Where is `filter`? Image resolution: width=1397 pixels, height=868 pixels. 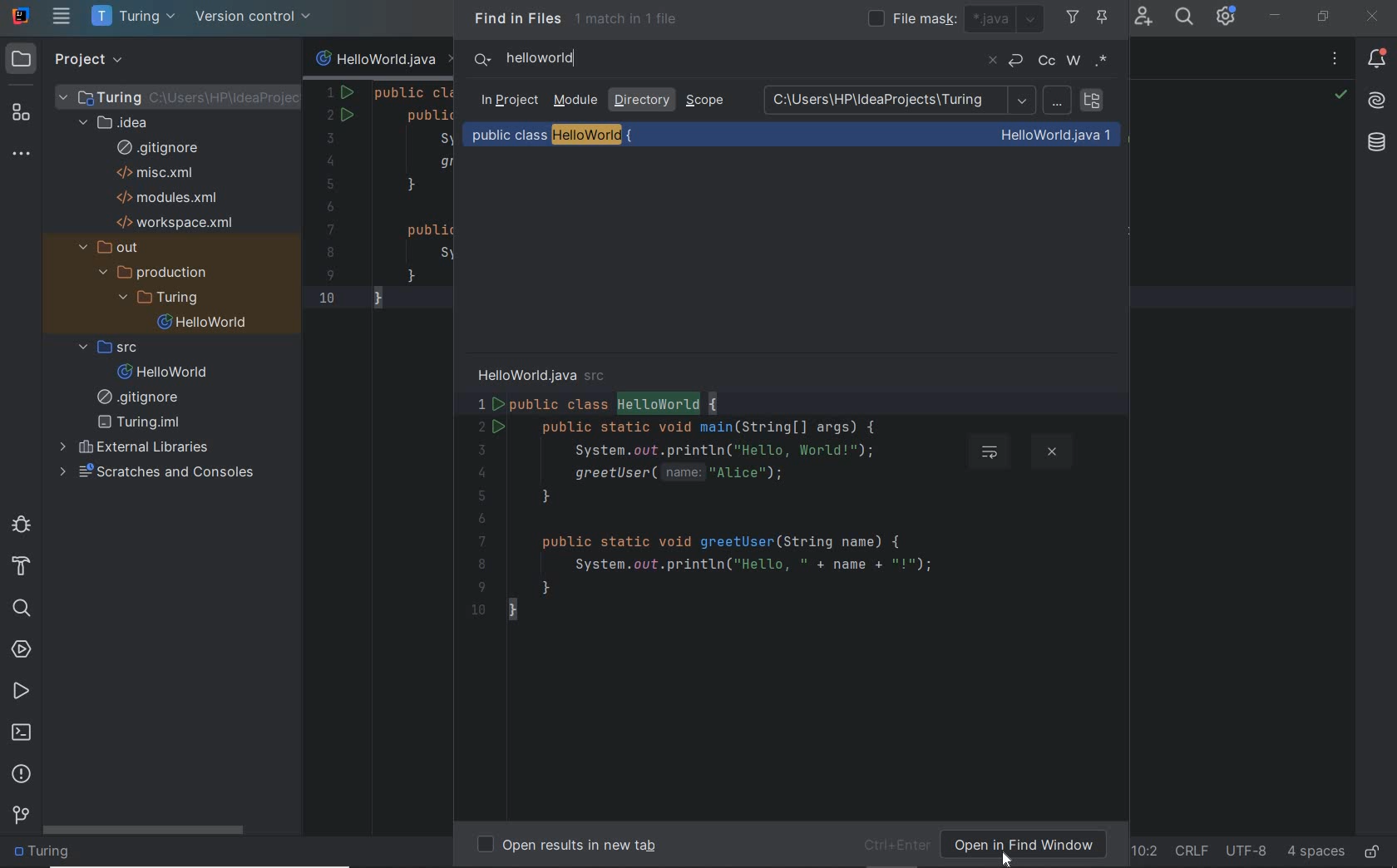 filter is located at coordinates (1070, 19).